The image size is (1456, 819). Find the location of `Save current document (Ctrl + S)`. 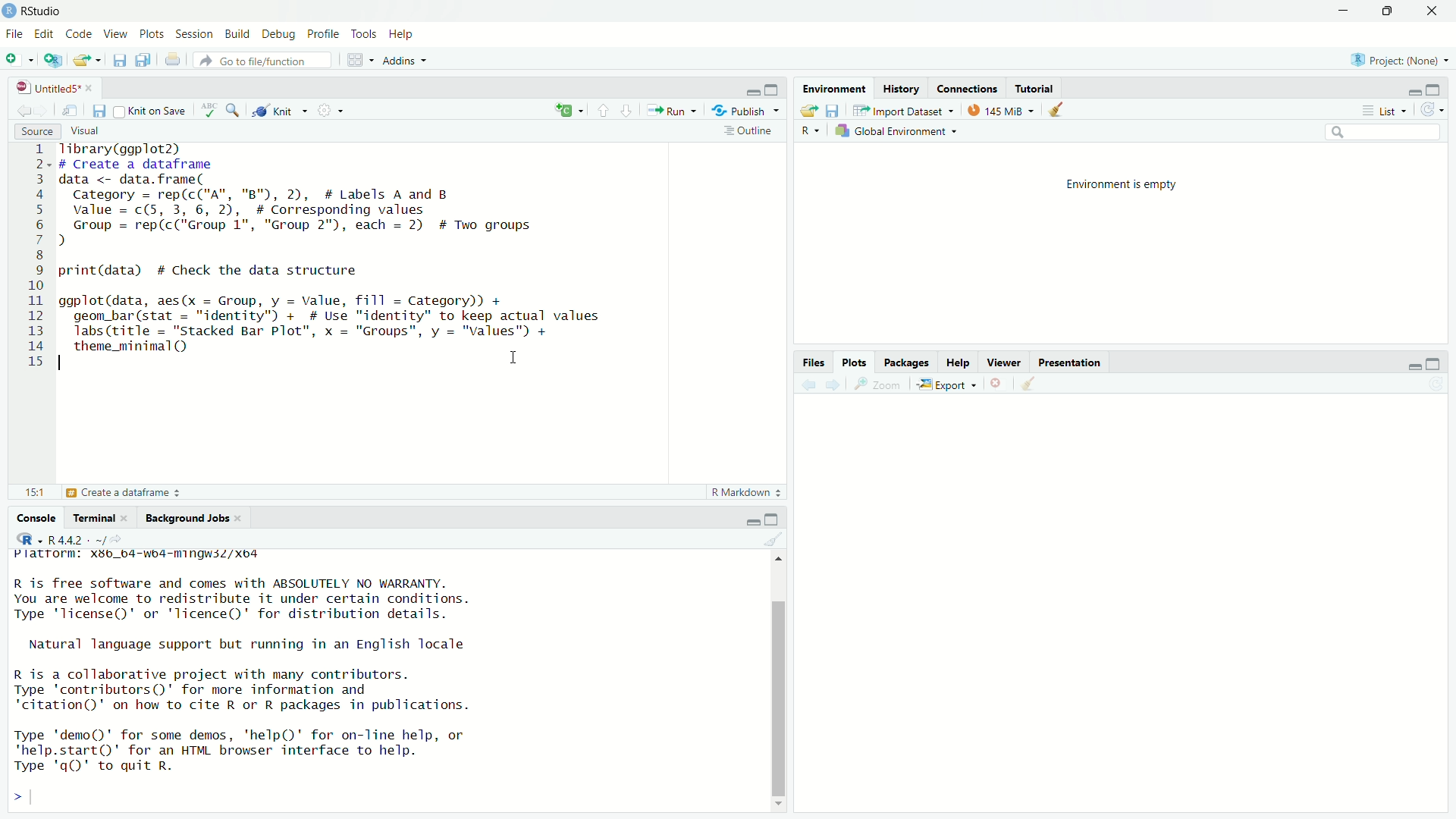

Save current document (Ctrl + S) is located at coordinates (121, 60).